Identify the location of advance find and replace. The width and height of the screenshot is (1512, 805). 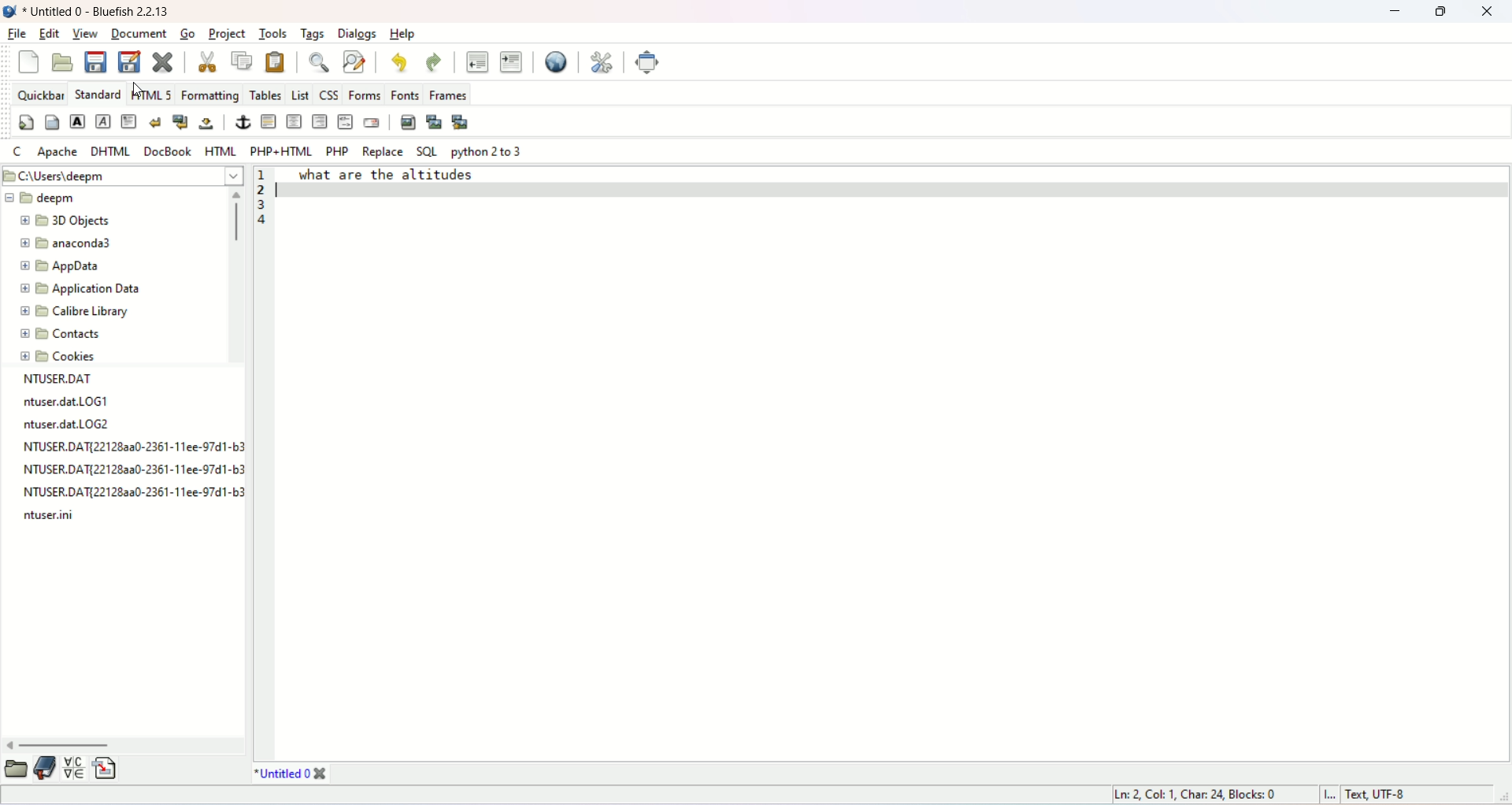
(354, 64).